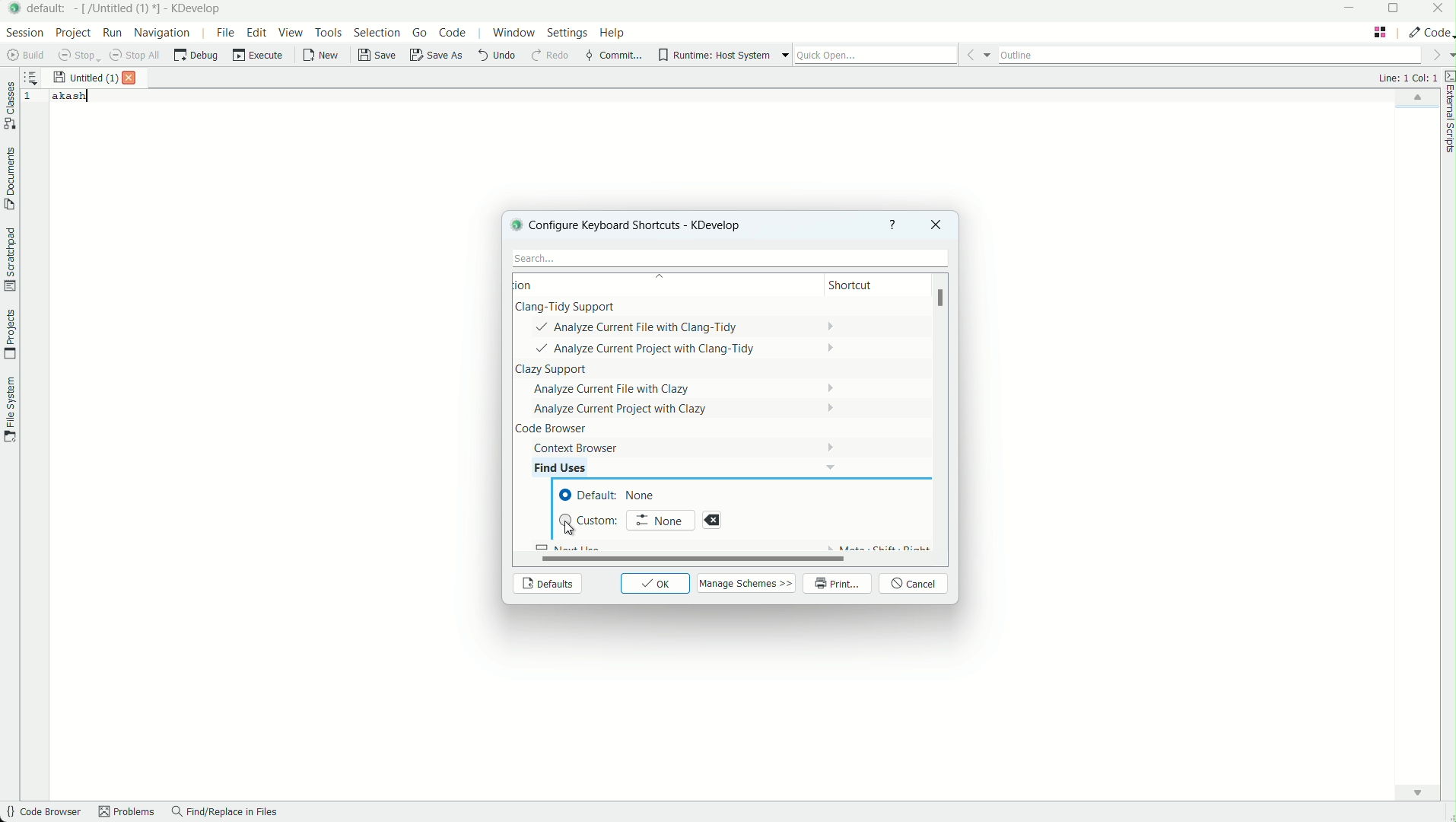  I want to click on more options, so click(785, 56).